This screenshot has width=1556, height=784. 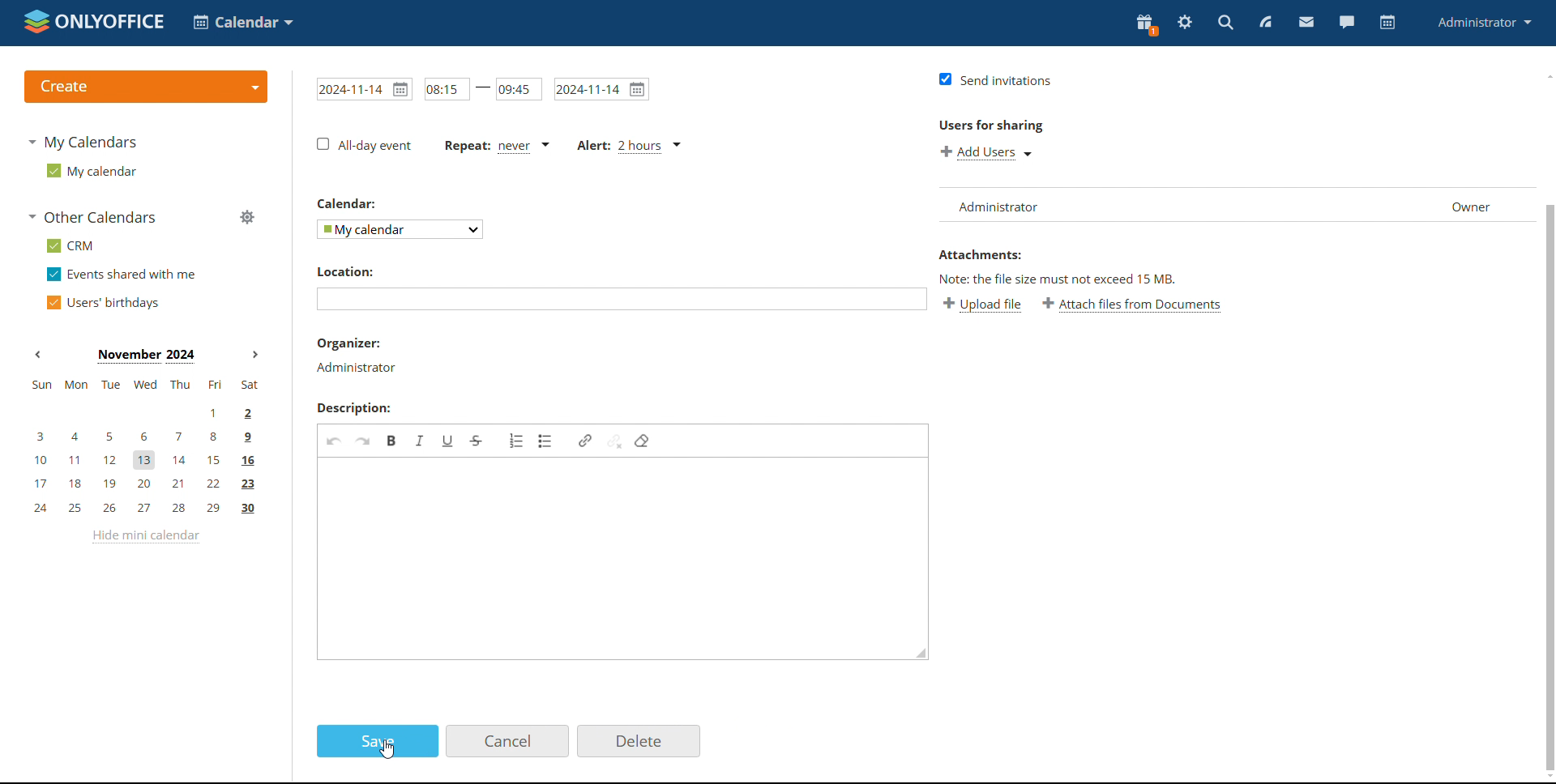 I want to click on settings, so click(x=1186, y=23).